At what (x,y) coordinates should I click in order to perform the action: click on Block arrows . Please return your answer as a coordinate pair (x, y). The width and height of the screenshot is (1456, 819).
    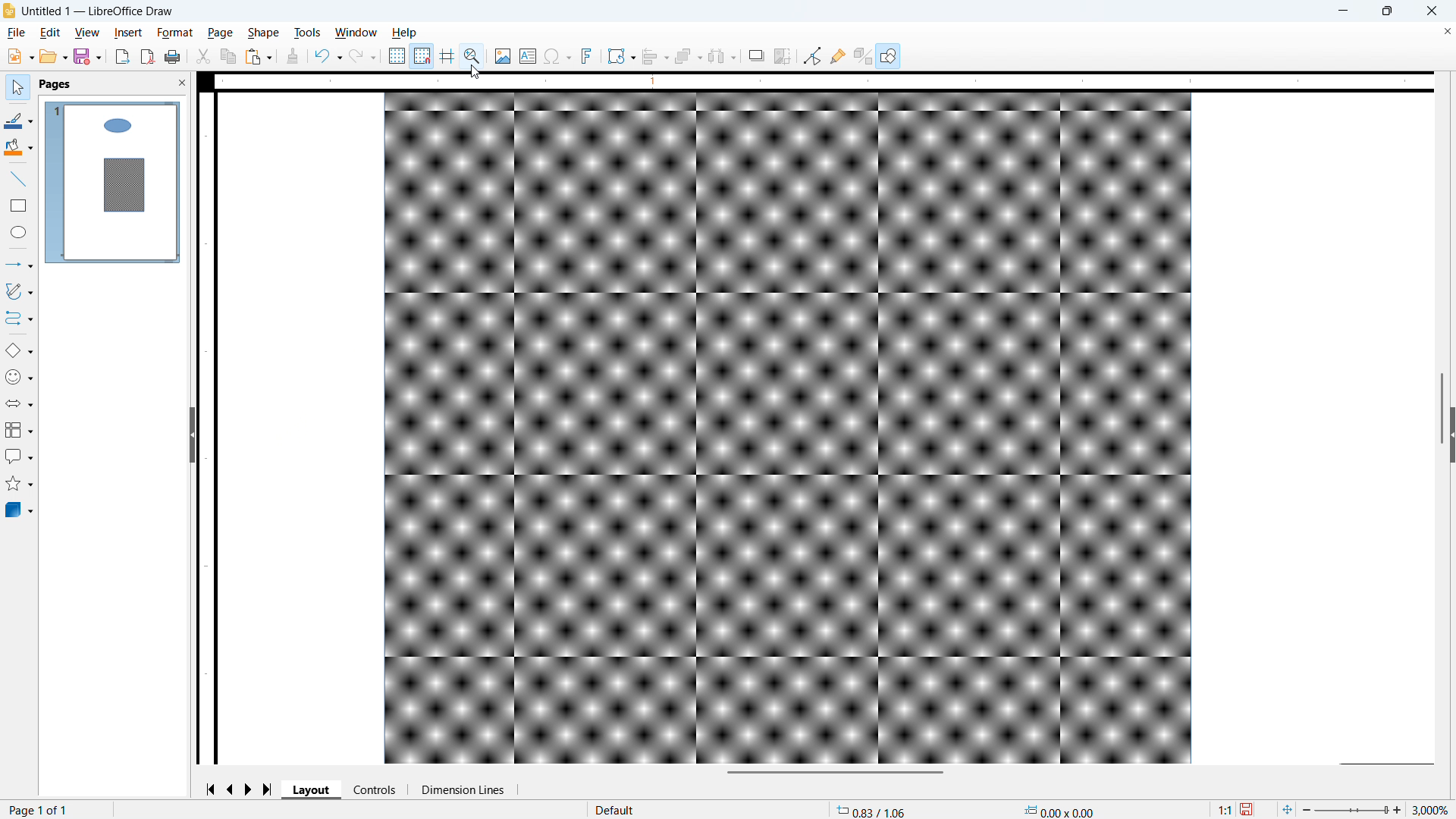
    Looking at the image, I should click on (19, 403).